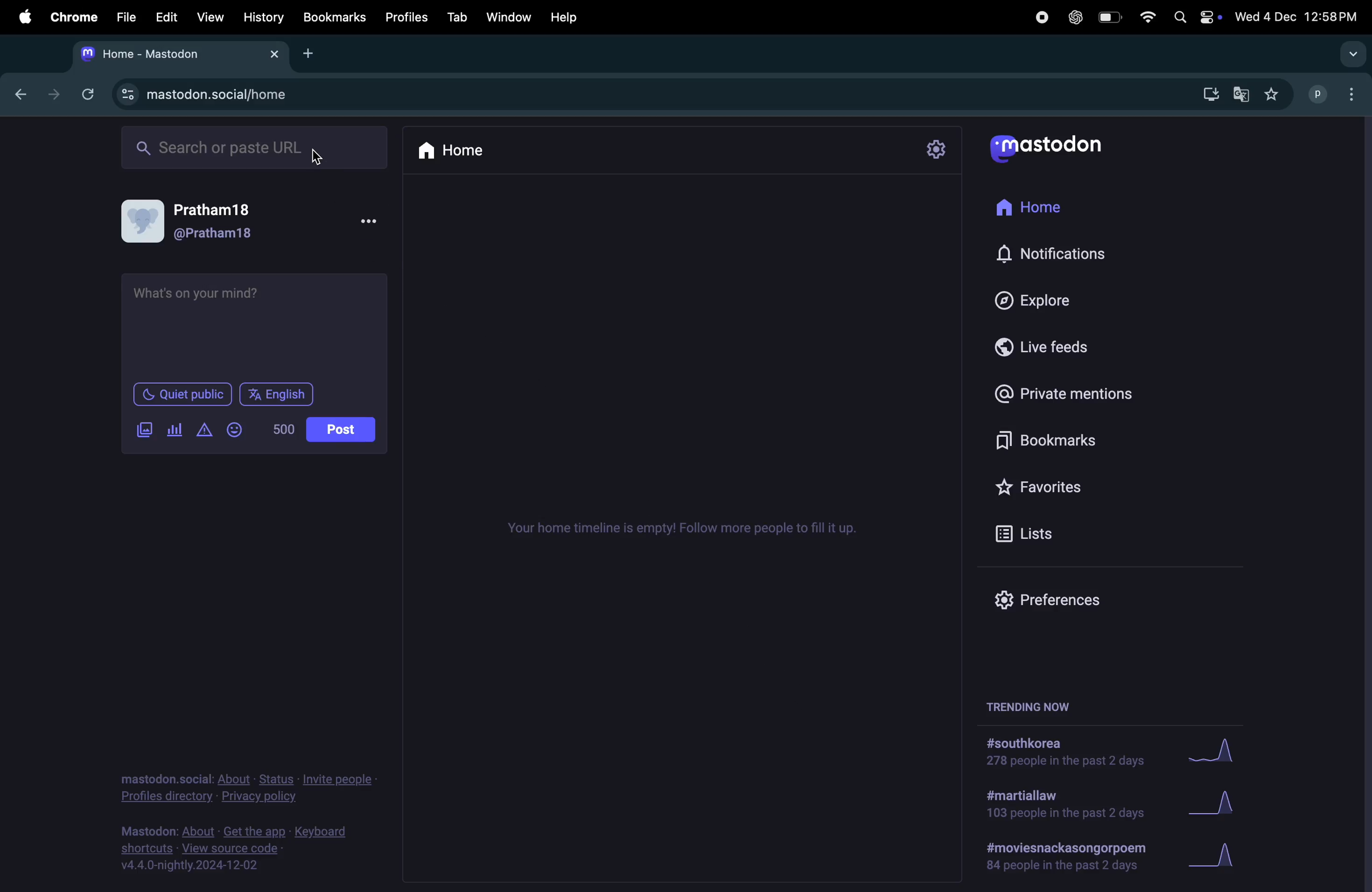 This screenshot has height=892, width=1372. Describe the element at coordinates (1206, 93) in the screenshot. I see `download` at that location.